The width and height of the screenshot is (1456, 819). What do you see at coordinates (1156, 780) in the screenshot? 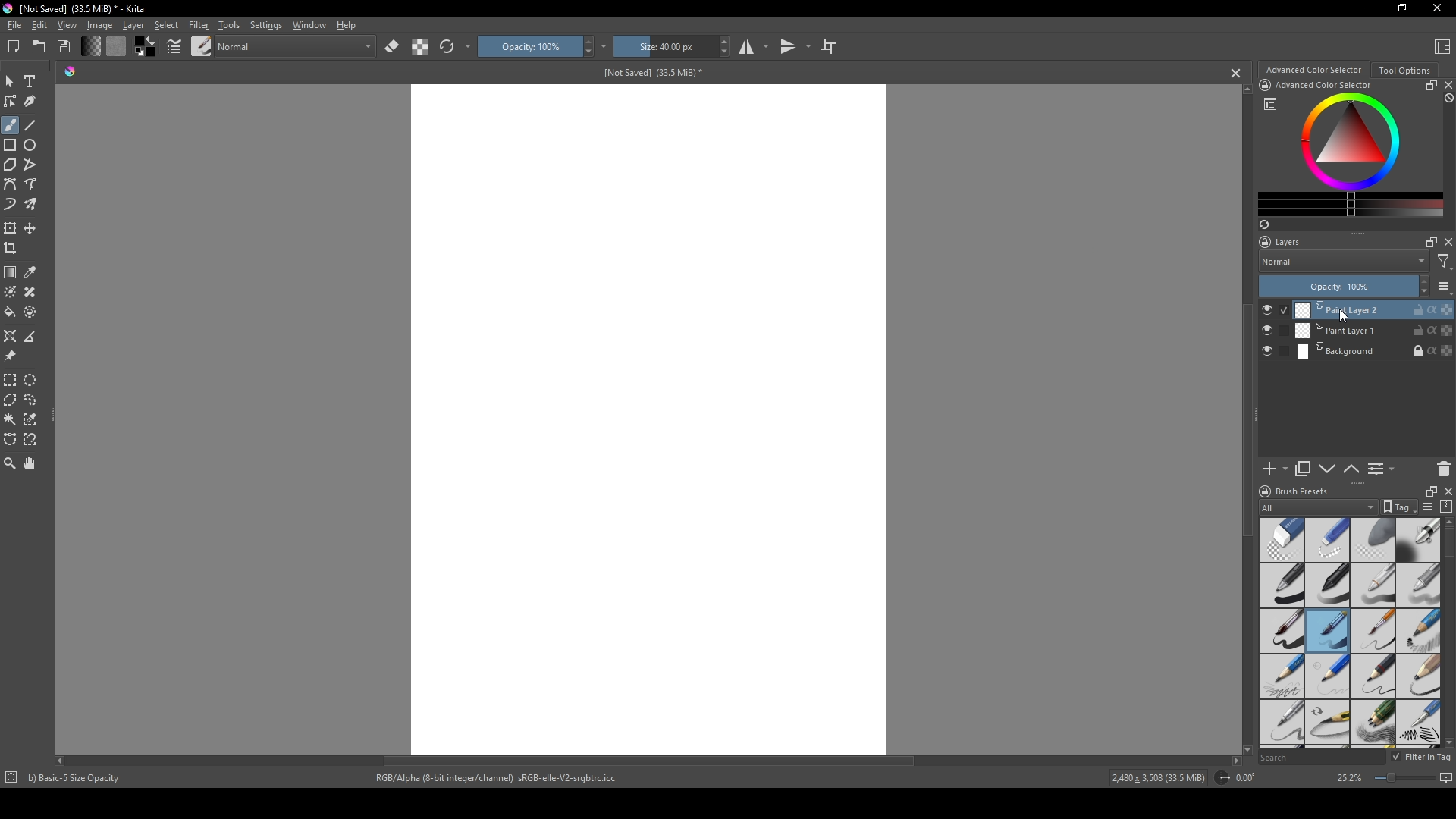
I see `2,480 x 3,508 (33.5 MiB)` at bounding box center [1156, 780].